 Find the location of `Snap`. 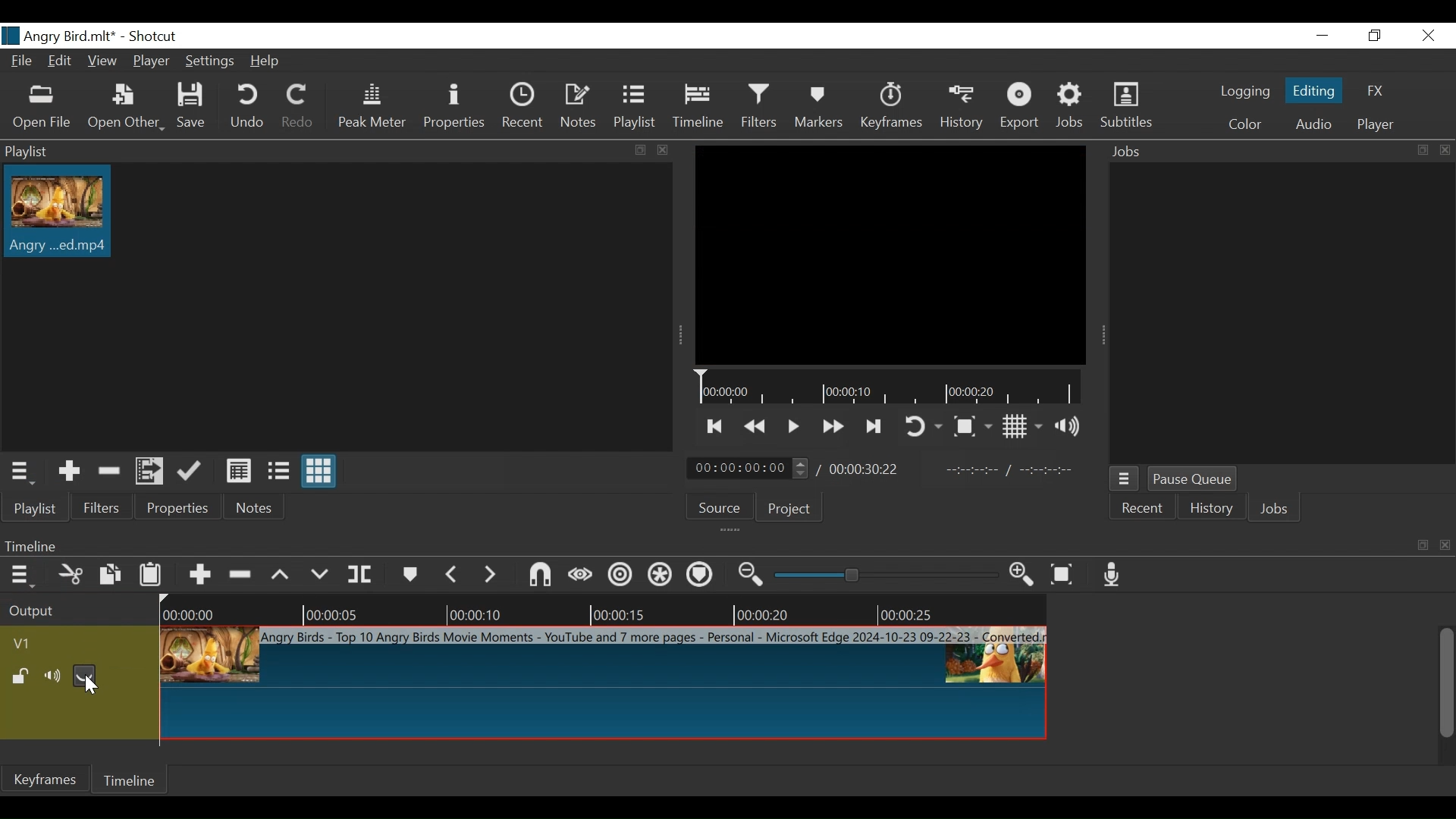

Snap is located at coordinates (539, 575).